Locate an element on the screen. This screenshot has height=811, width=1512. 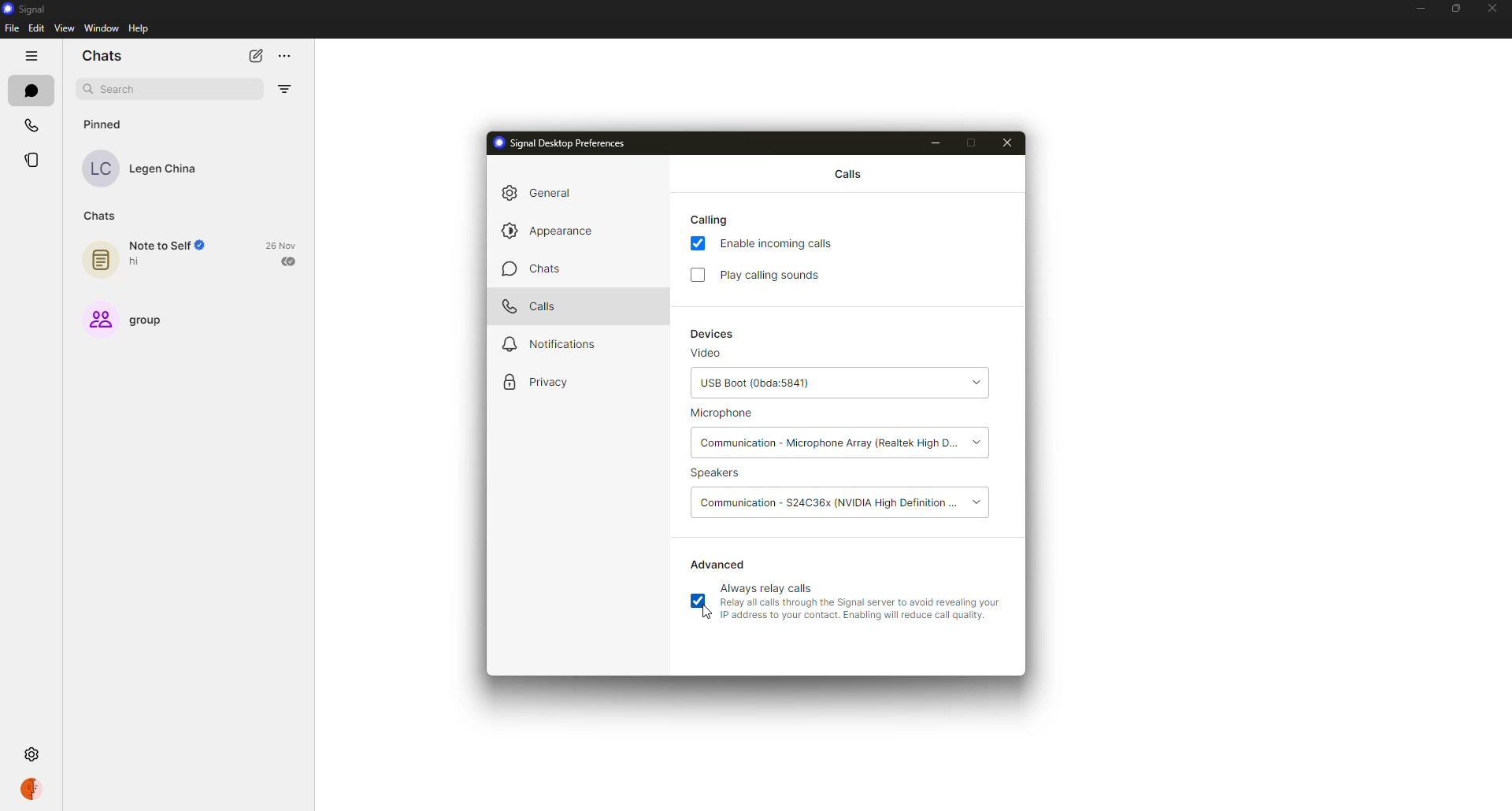
calls is located at coordinates (847, 172).